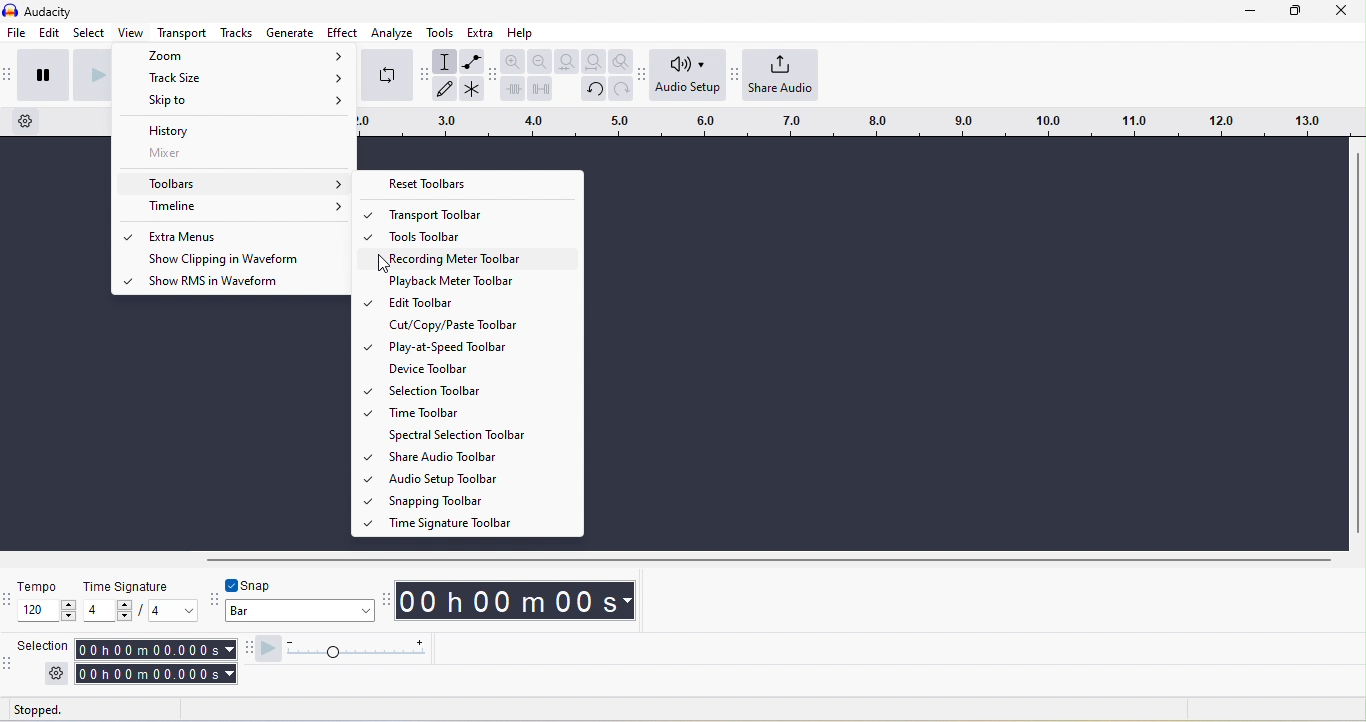 The height and width of the screenshot is (722, 1366). I want to click on Playback metre toolbar, so click(479, 280).